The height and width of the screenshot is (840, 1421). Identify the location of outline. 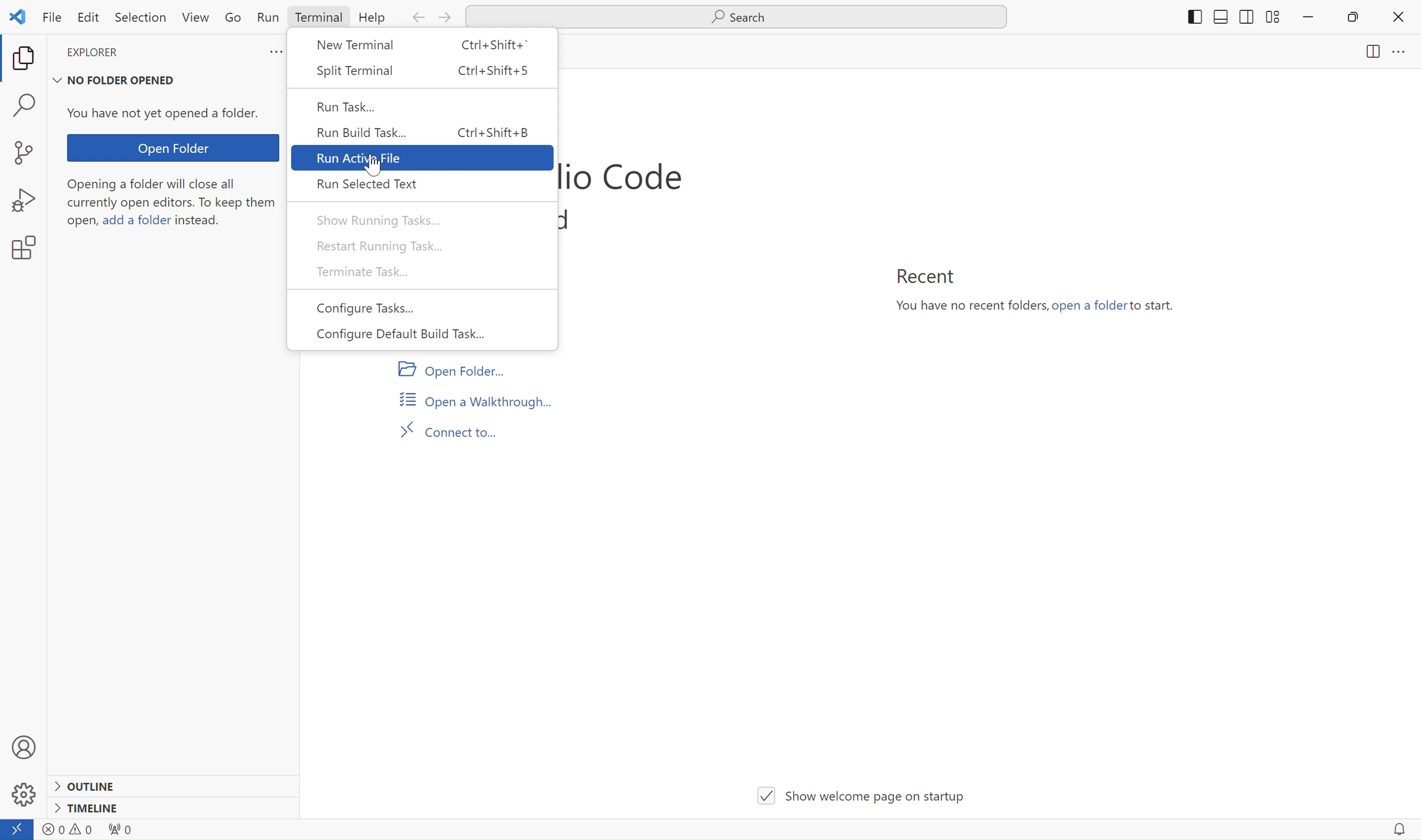
(88, 784).